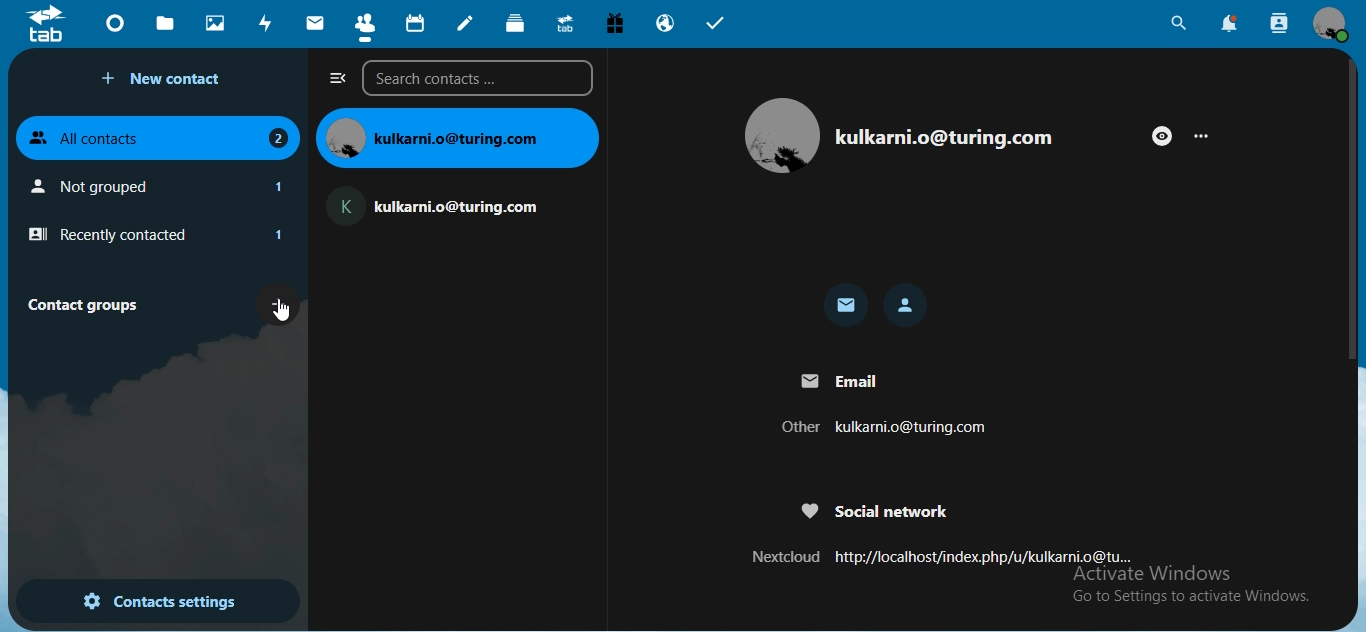 Image resolution: width=1366 pixels, height=632 pixels. What do you see at coordinates (365, 23) in the screenshot?
I see `contacts` at bounding box center [365, 23].